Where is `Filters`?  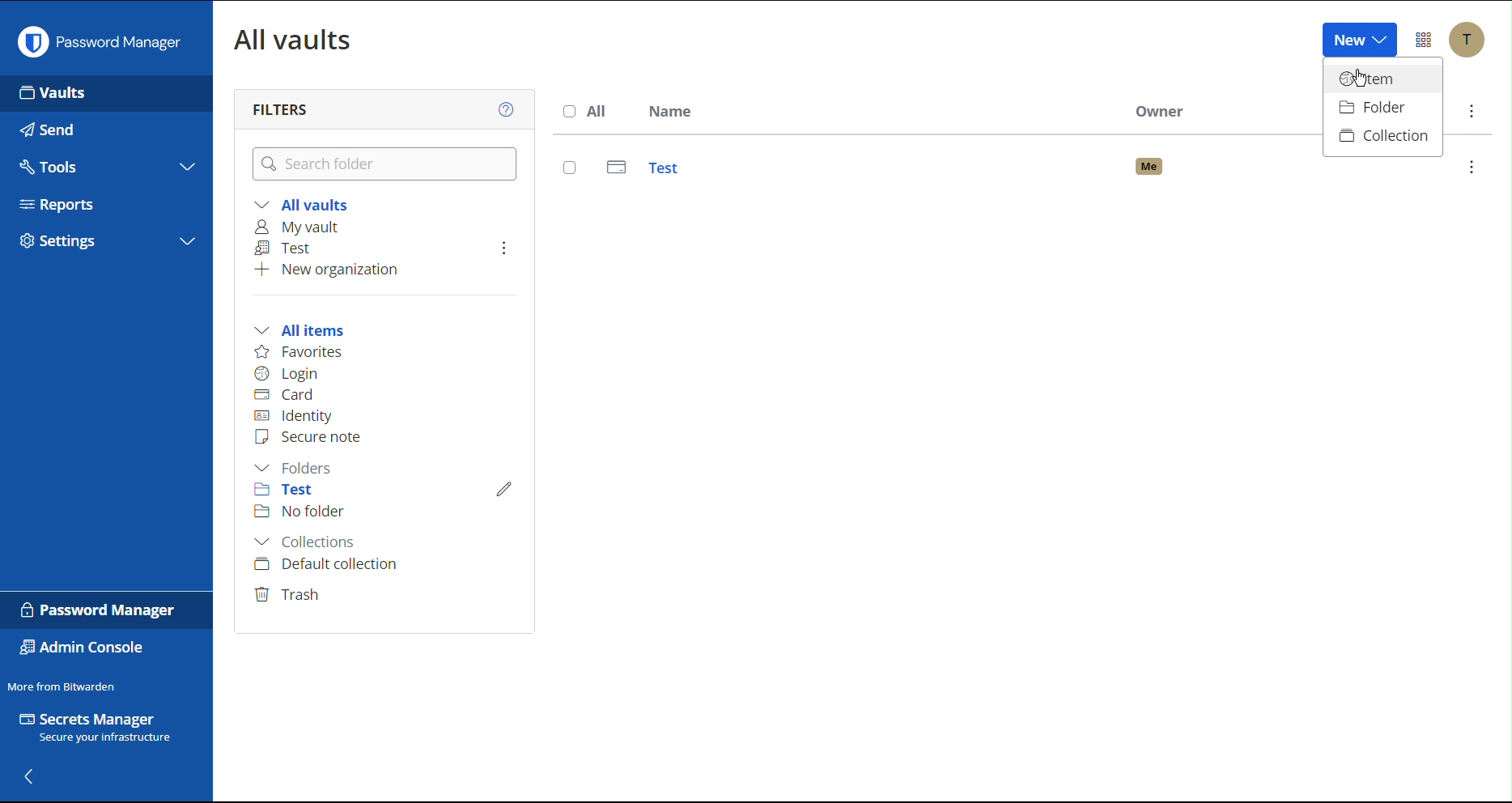
Filters is located at coordinates (282, 108).